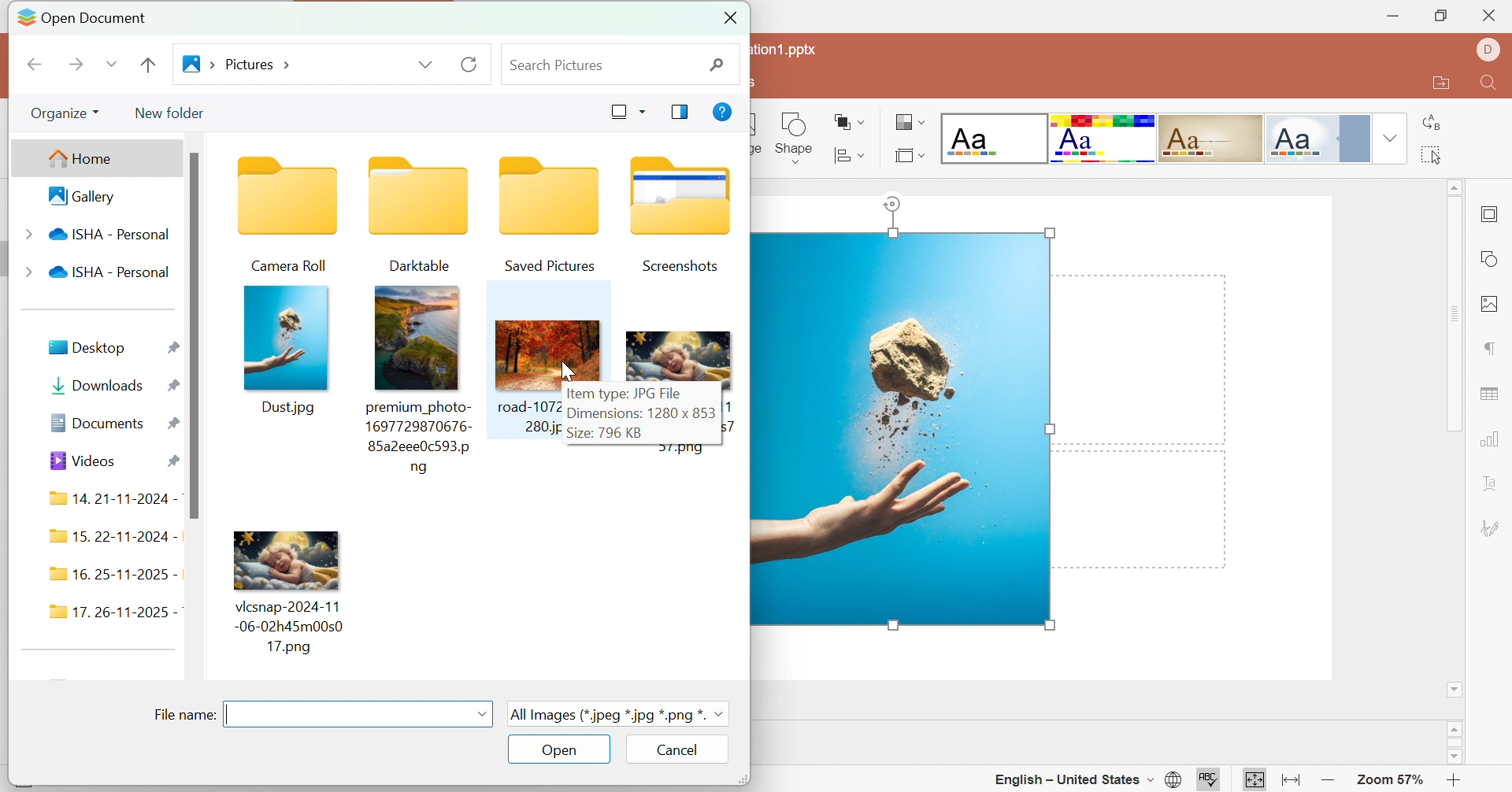 The height and width of the screenshot is (792, 1512). Describe the element at coordinates (1443, 15) in the screenshot. I see `Restore Down` at that location.